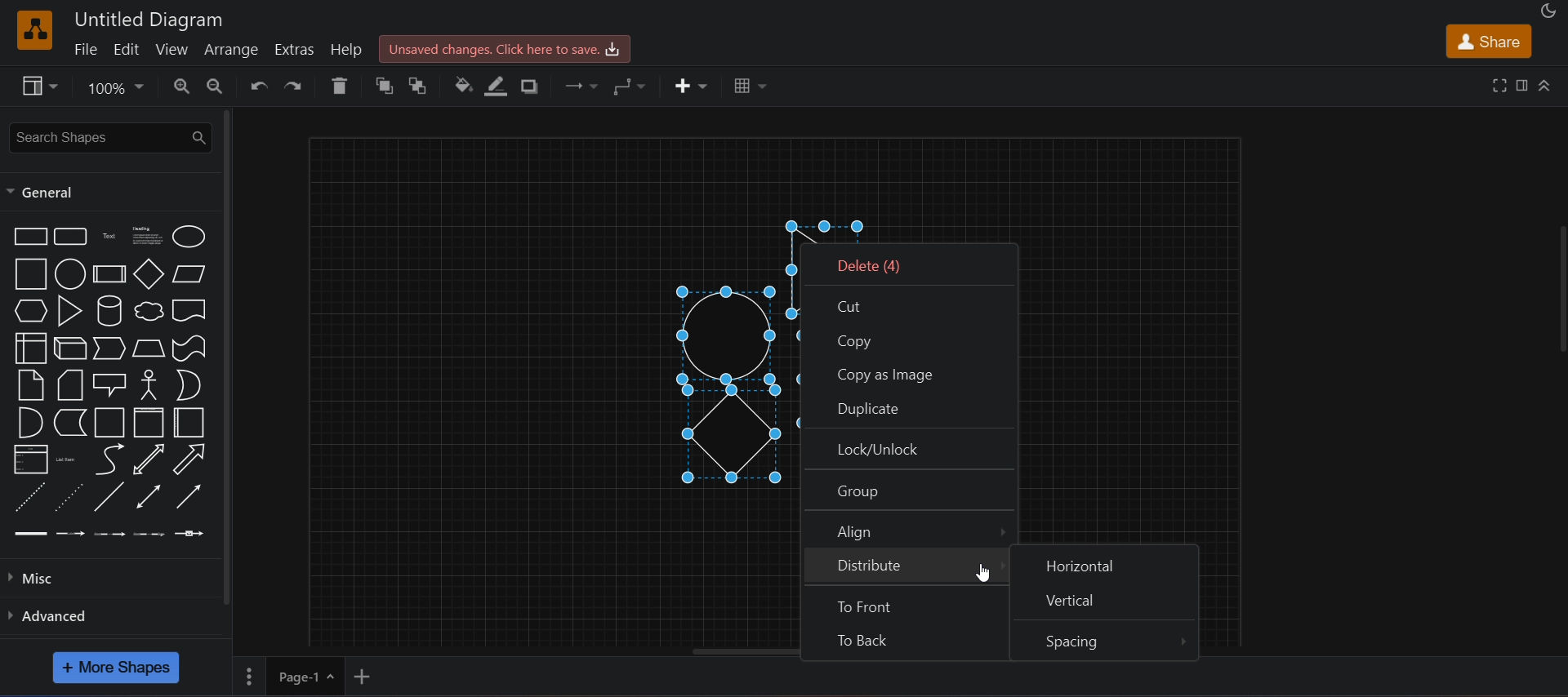 This screenshot has height=697, width=1568. What do you see at coordinates (83, 49) in the screenshot?
I see `file` at bounding box center [83, 49].